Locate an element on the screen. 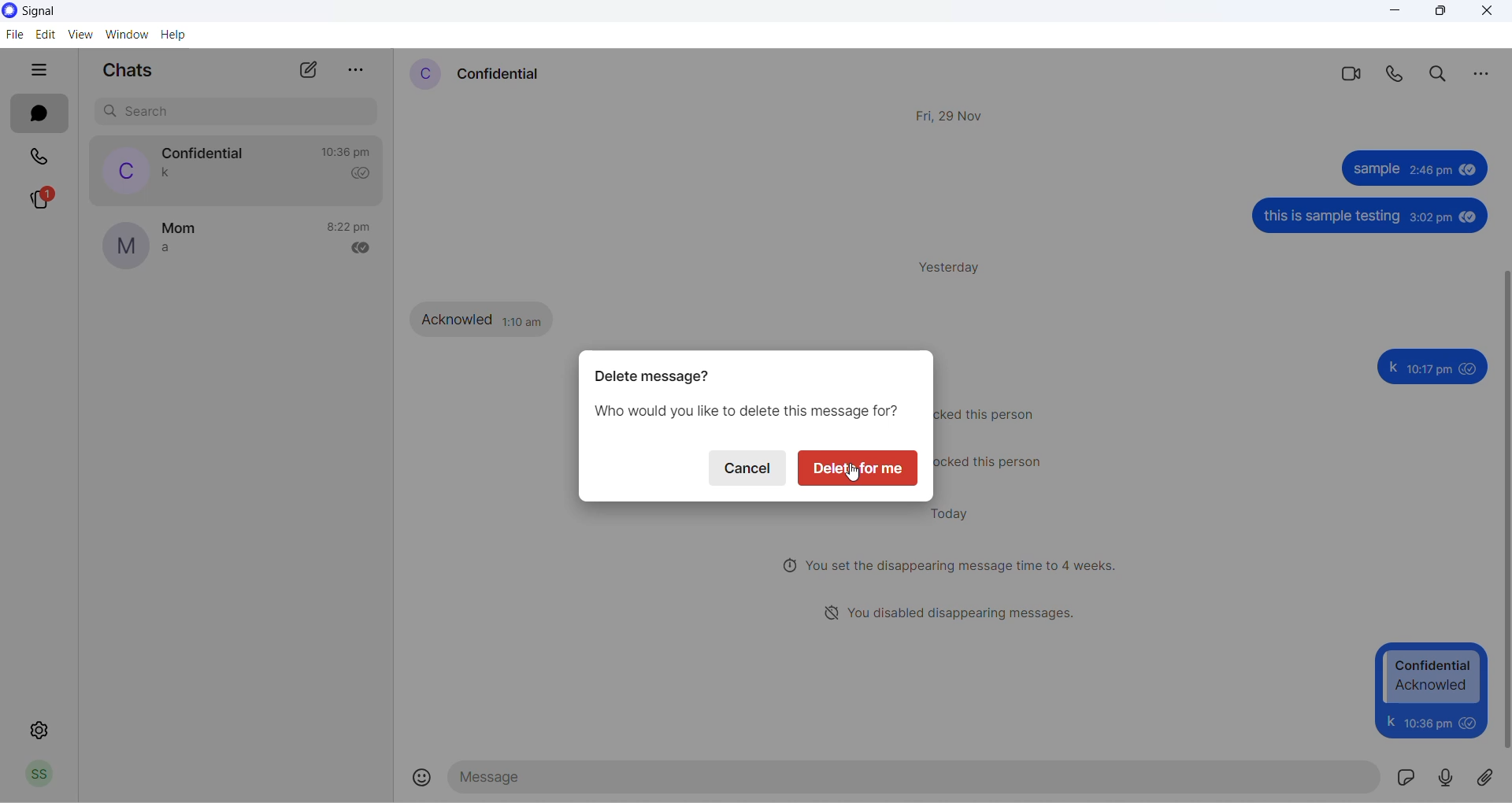  message text area is located at coordinates (914, 777).